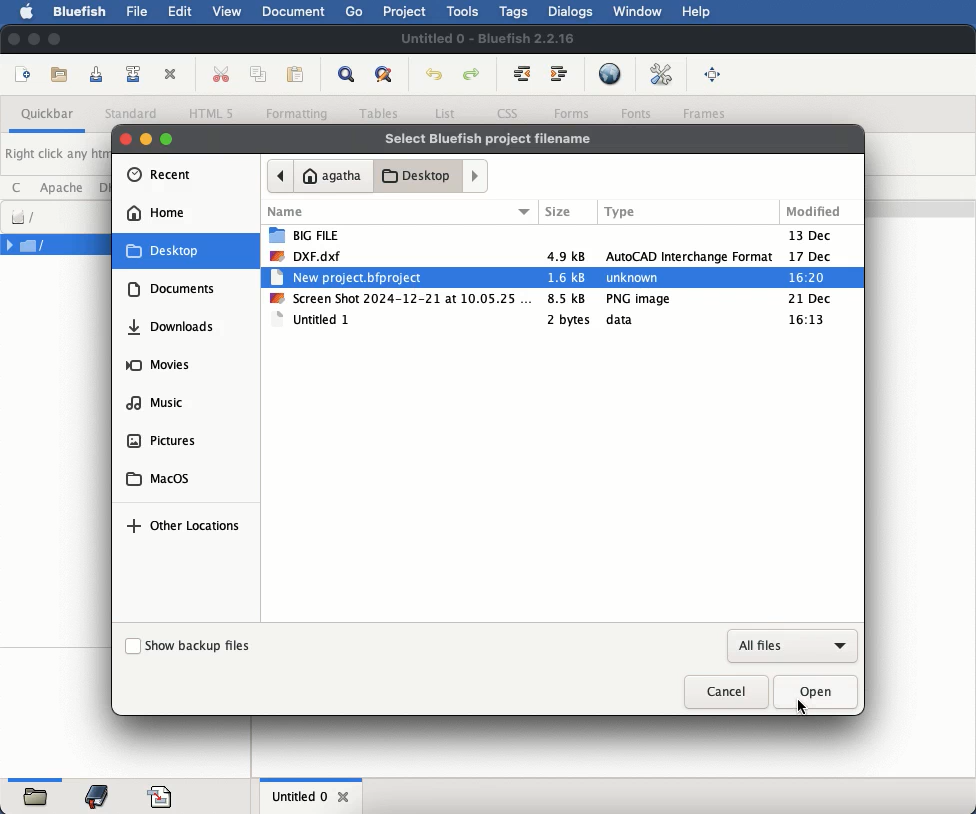  What do you see at coordinates (347, 76) in the screenshot?
I see `show find bar` at bounding box center [347, 76].